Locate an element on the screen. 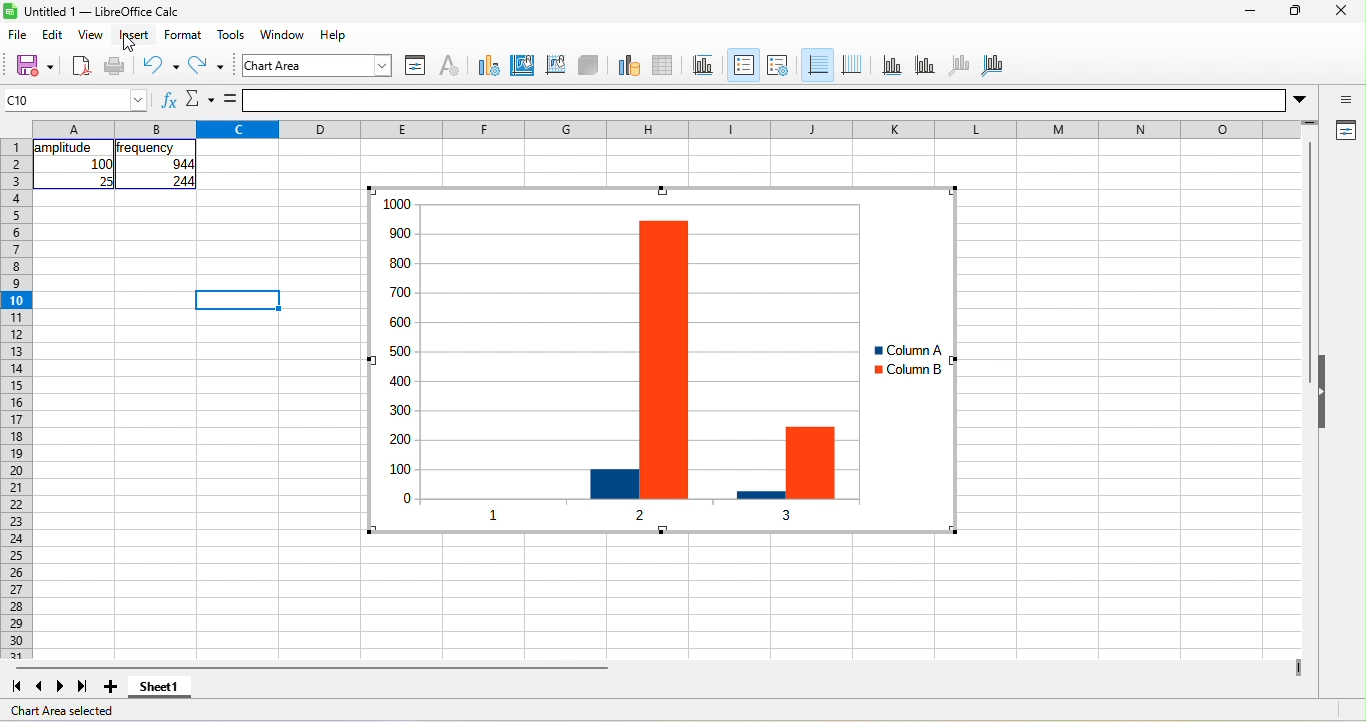 This screenshot has height=722, width=1366. previous sheet is located at coordinates (35, 687).